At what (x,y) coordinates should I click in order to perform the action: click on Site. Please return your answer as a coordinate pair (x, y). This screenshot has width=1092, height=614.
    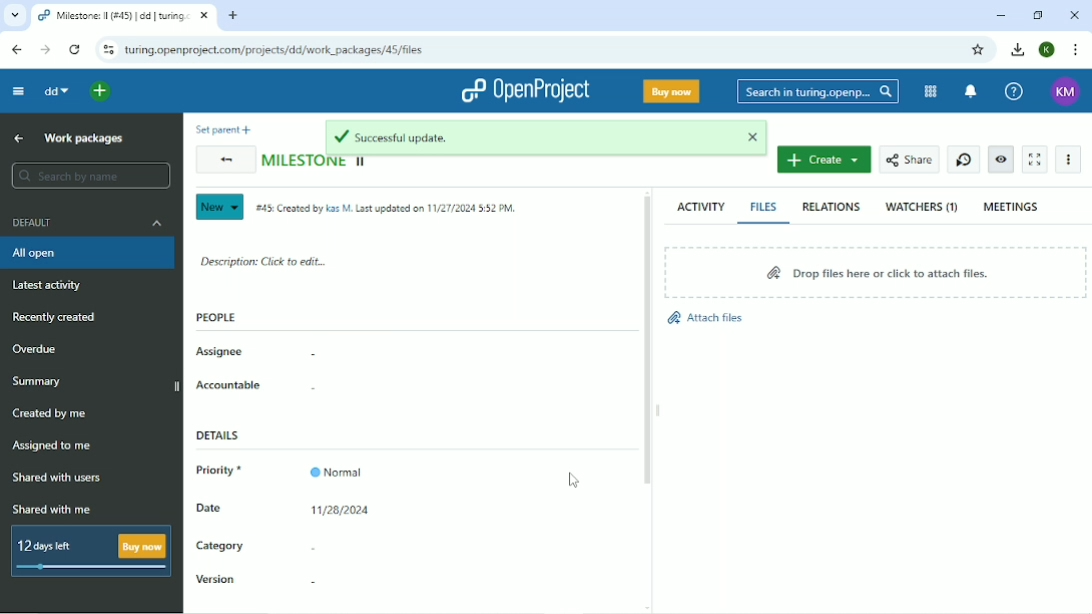
    Looking at the image, I should click on (283, 50).